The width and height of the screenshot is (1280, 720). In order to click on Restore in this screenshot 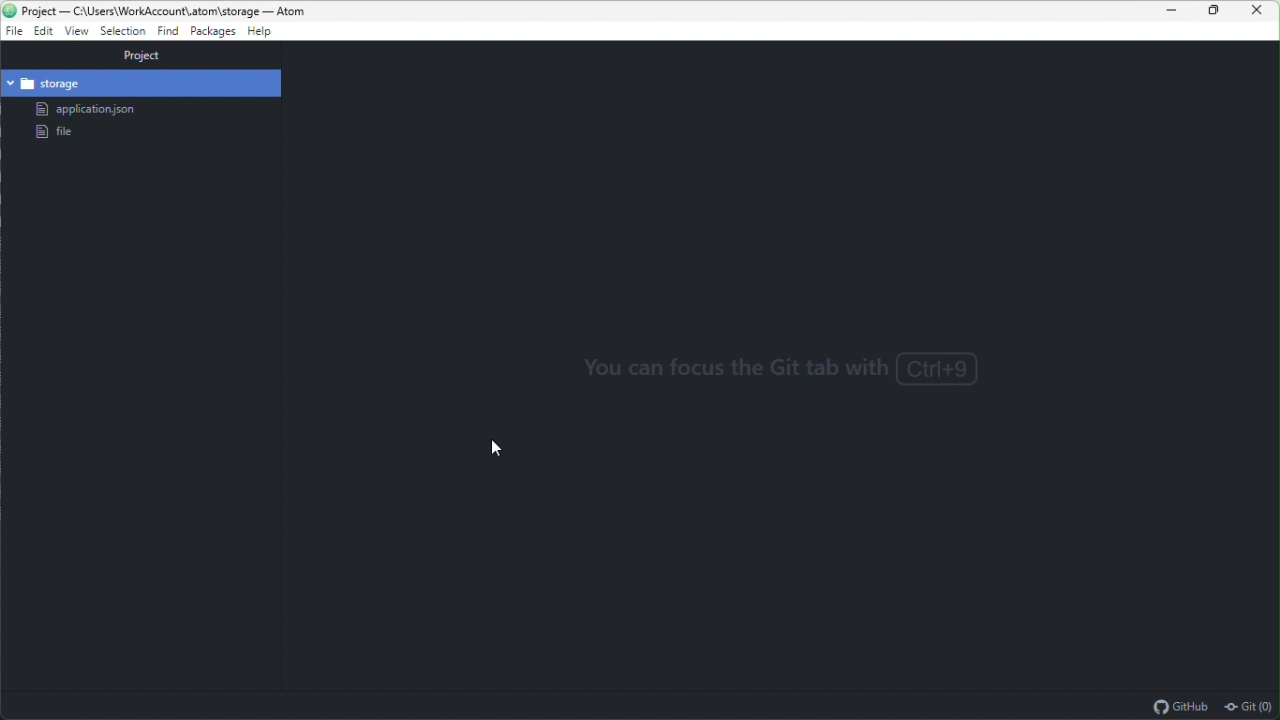, I will do `click(1217, 10)`.